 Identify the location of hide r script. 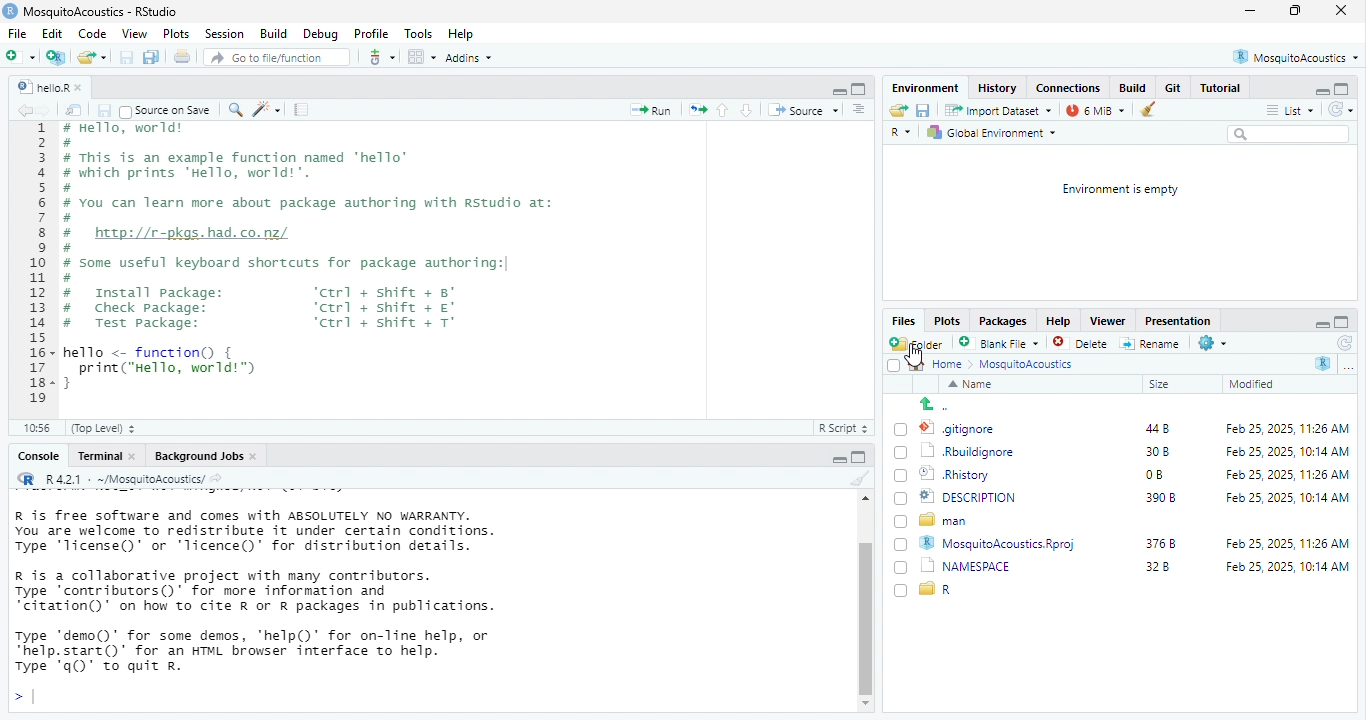
(1322, 90).